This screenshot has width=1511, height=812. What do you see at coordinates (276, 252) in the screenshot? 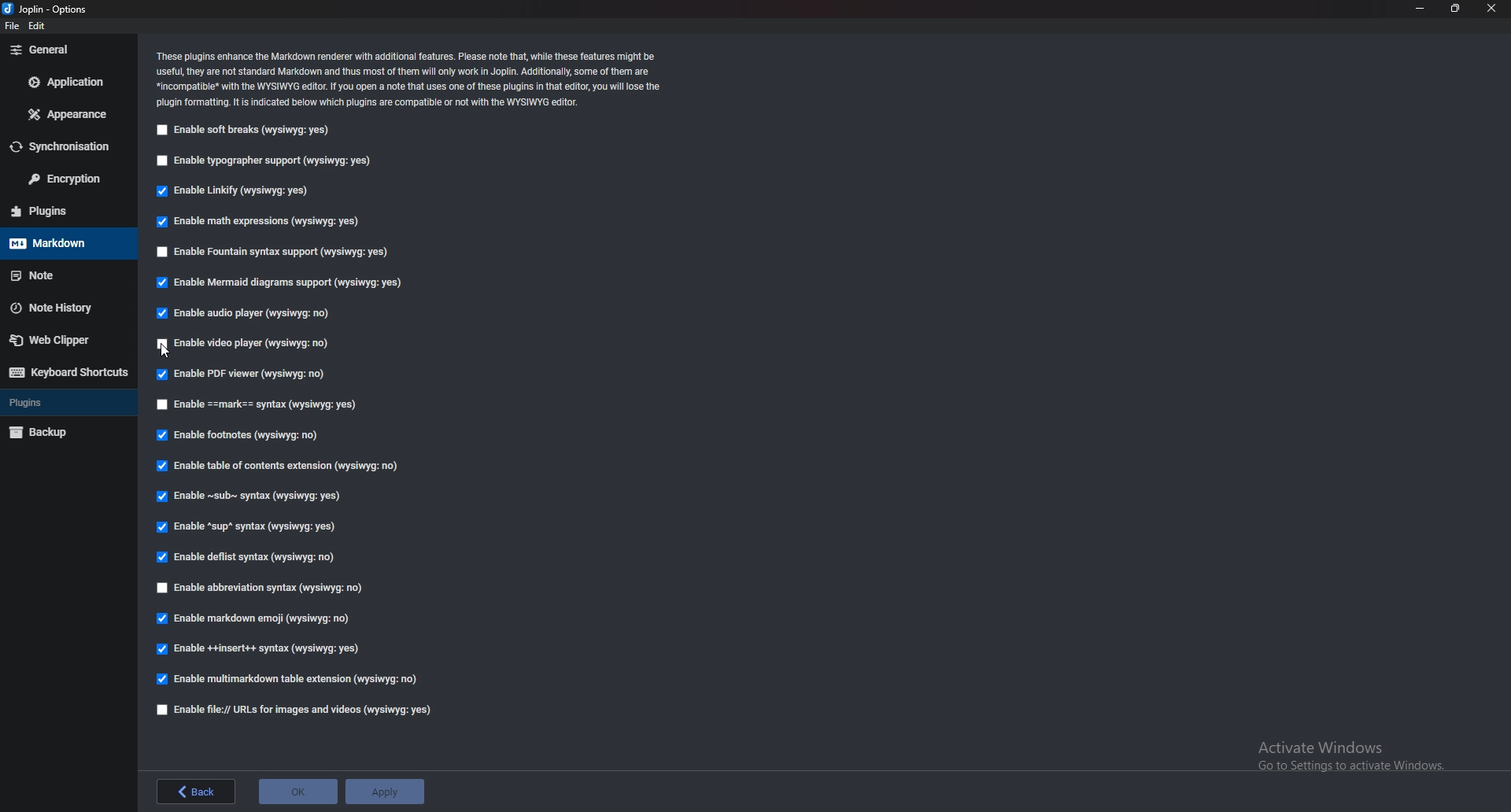
I see `Enable fountain syntax support` at bounding box center [276, 252].